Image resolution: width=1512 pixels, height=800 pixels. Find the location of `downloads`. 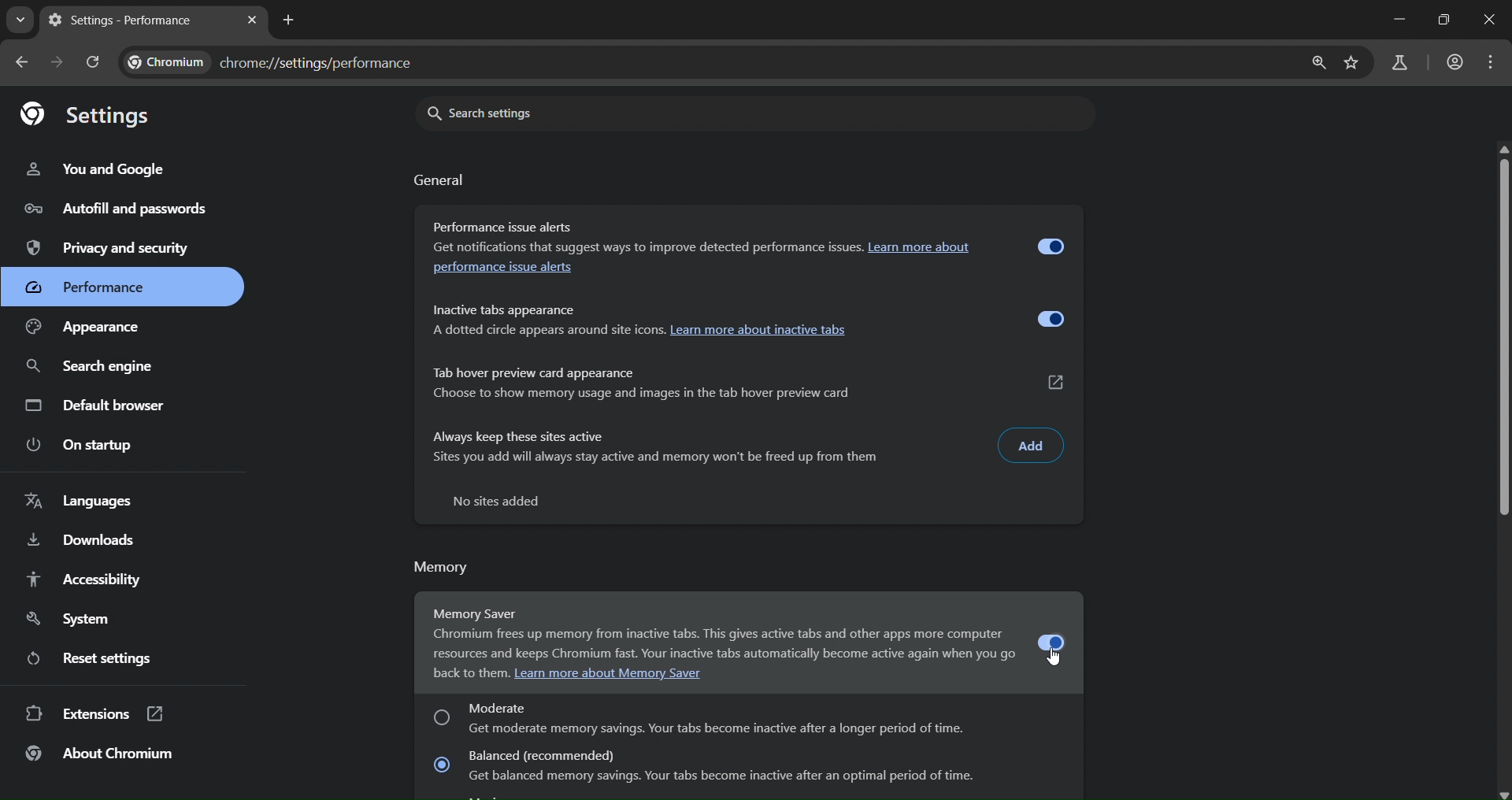

downloads is located at coordinates (81, 541).